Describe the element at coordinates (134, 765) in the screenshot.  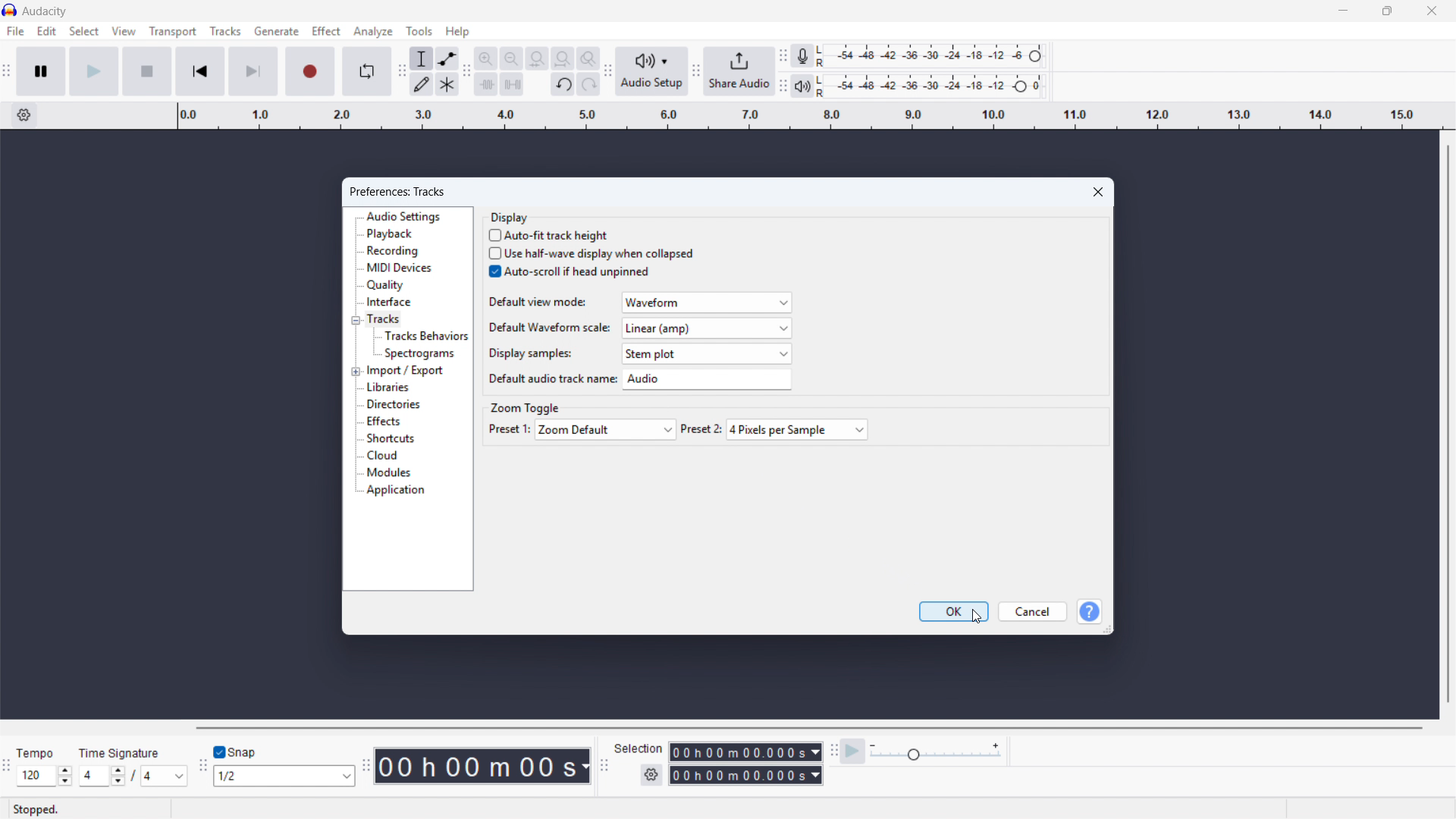
I see `set time signature` at that location.